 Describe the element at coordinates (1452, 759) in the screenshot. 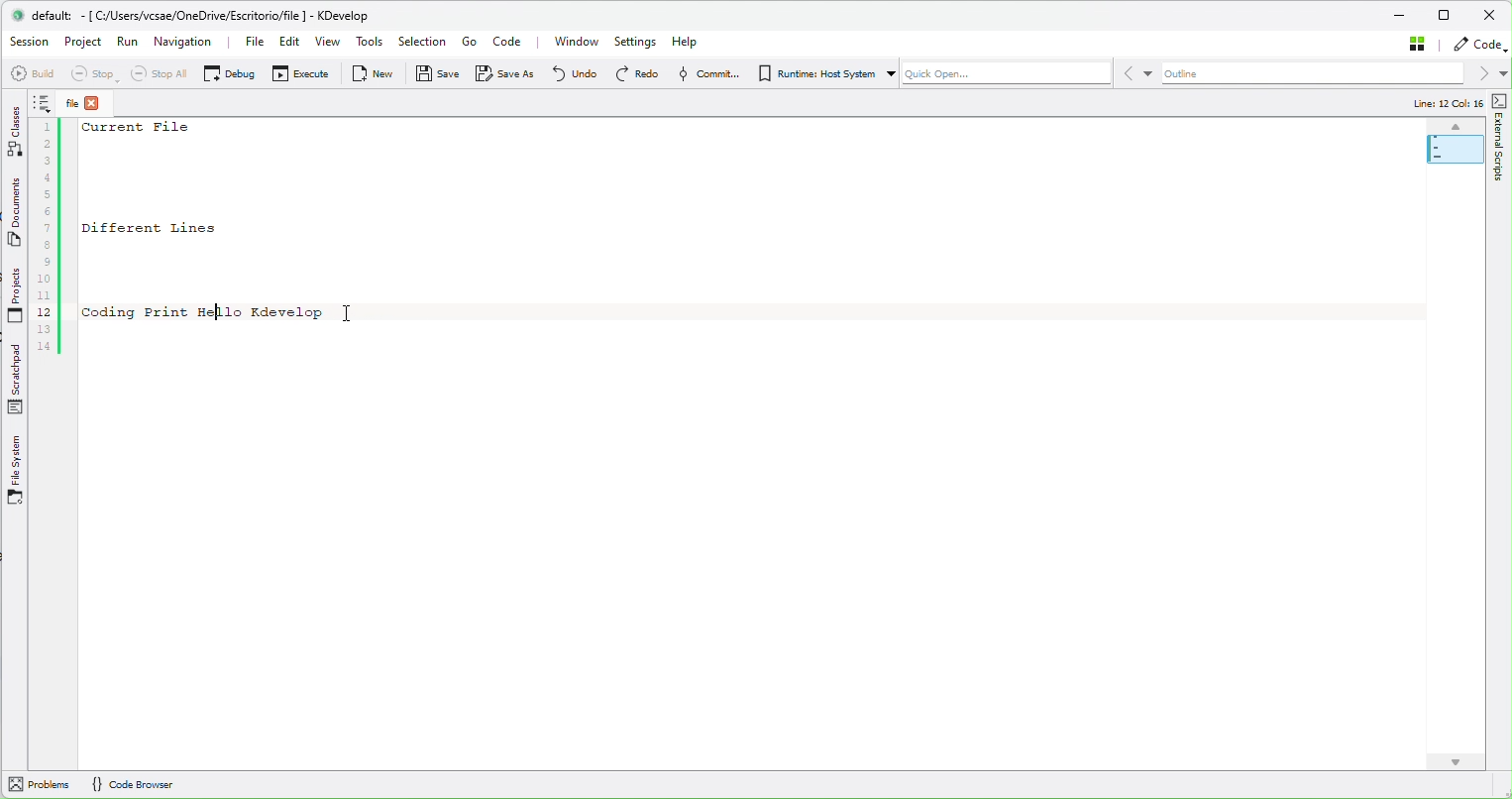

I see `Scroll Arrow` at that location.